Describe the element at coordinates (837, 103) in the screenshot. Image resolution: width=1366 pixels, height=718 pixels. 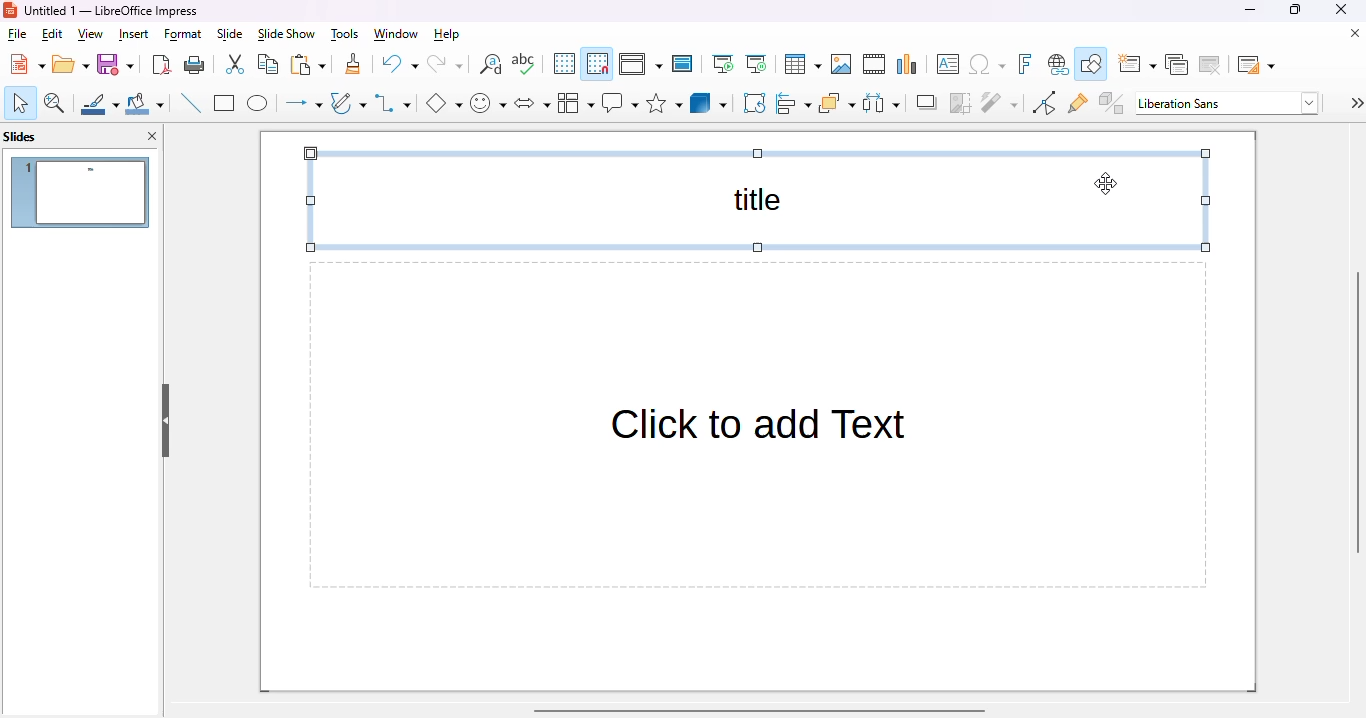
I see `arrange` at that location.